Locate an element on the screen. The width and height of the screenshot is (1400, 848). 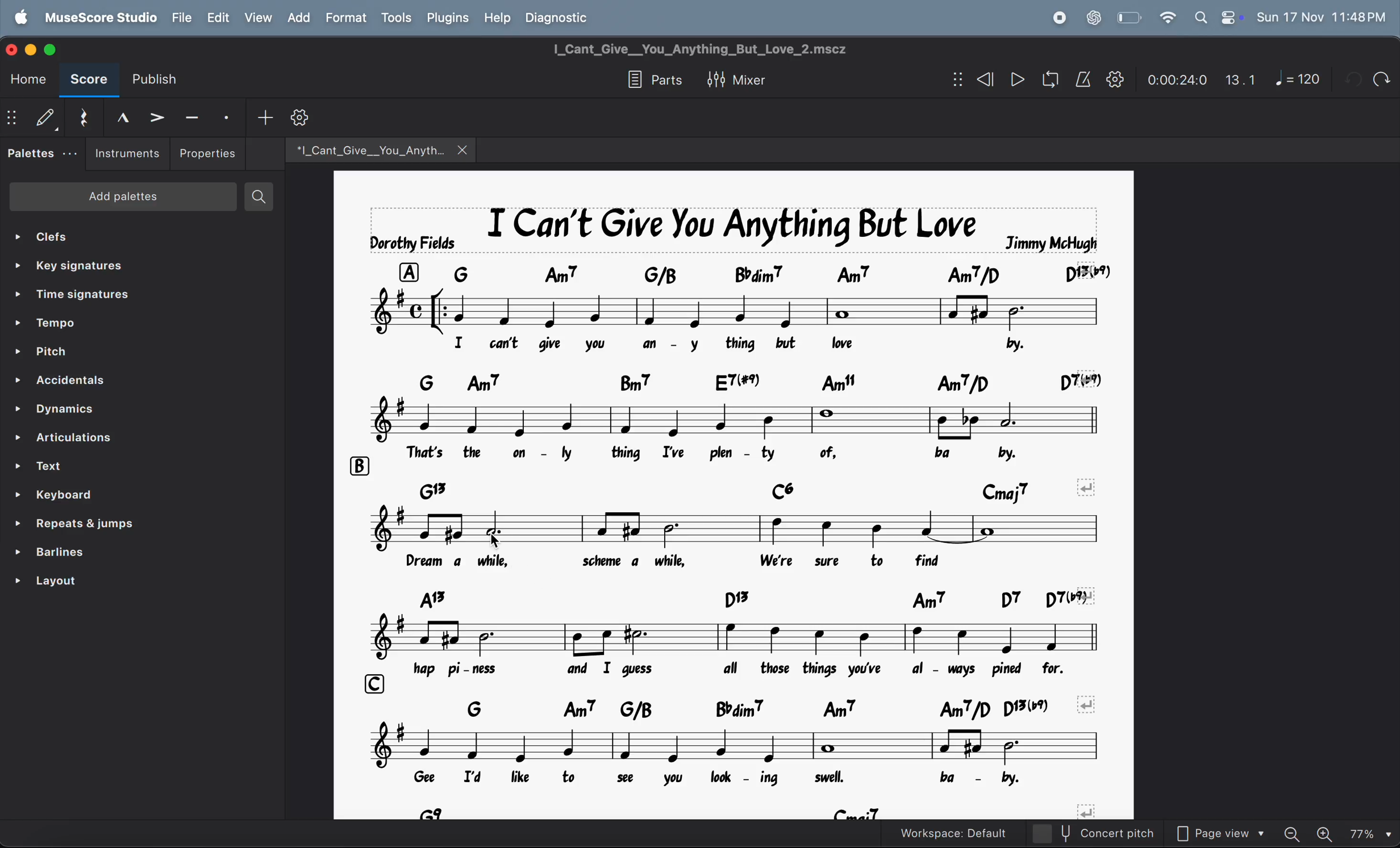
accent is located at coordinates (160, 116).